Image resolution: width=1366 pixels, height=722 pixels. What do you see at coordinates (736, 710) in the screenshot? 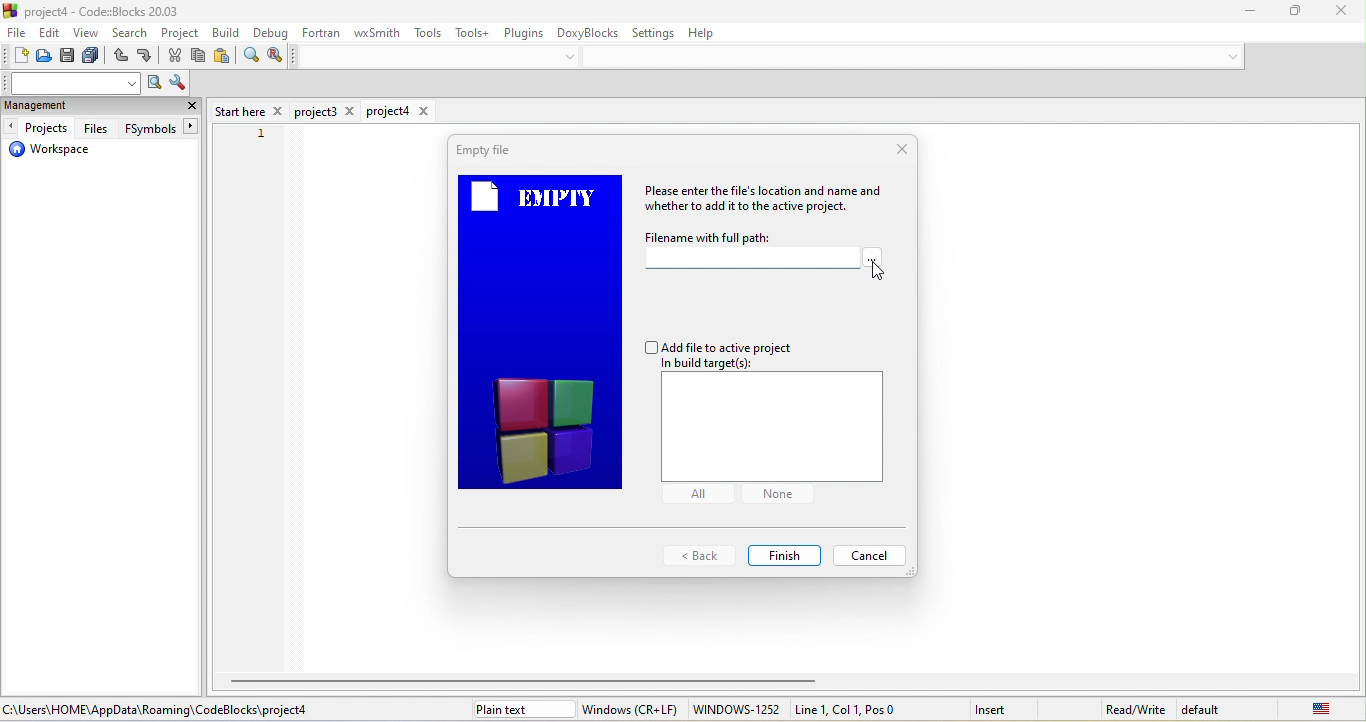
I see `windows-1252` at bounding box center [736, 710].